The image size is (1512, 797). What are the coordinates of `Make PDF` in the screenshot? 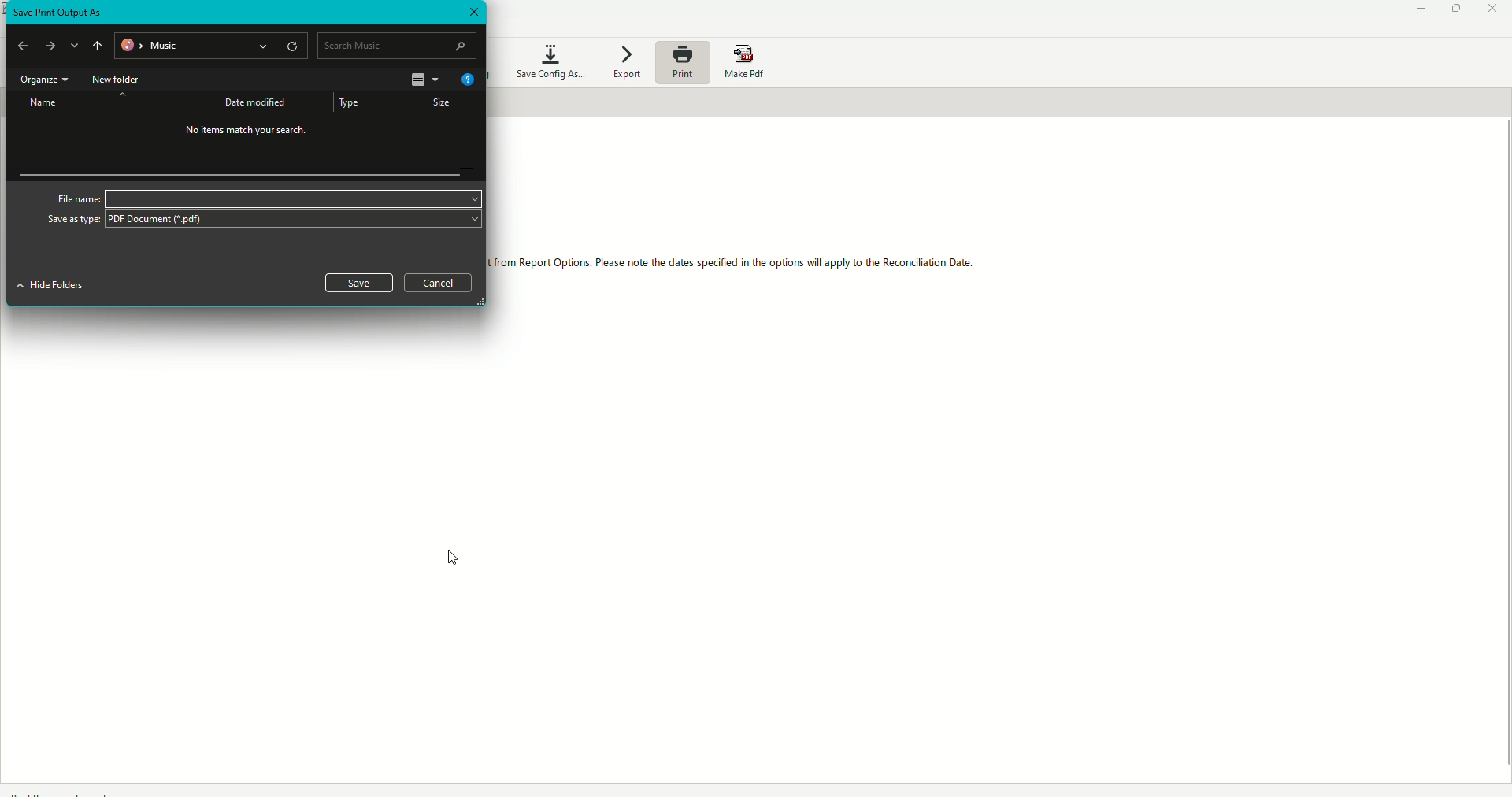 It's located at (747, 60).